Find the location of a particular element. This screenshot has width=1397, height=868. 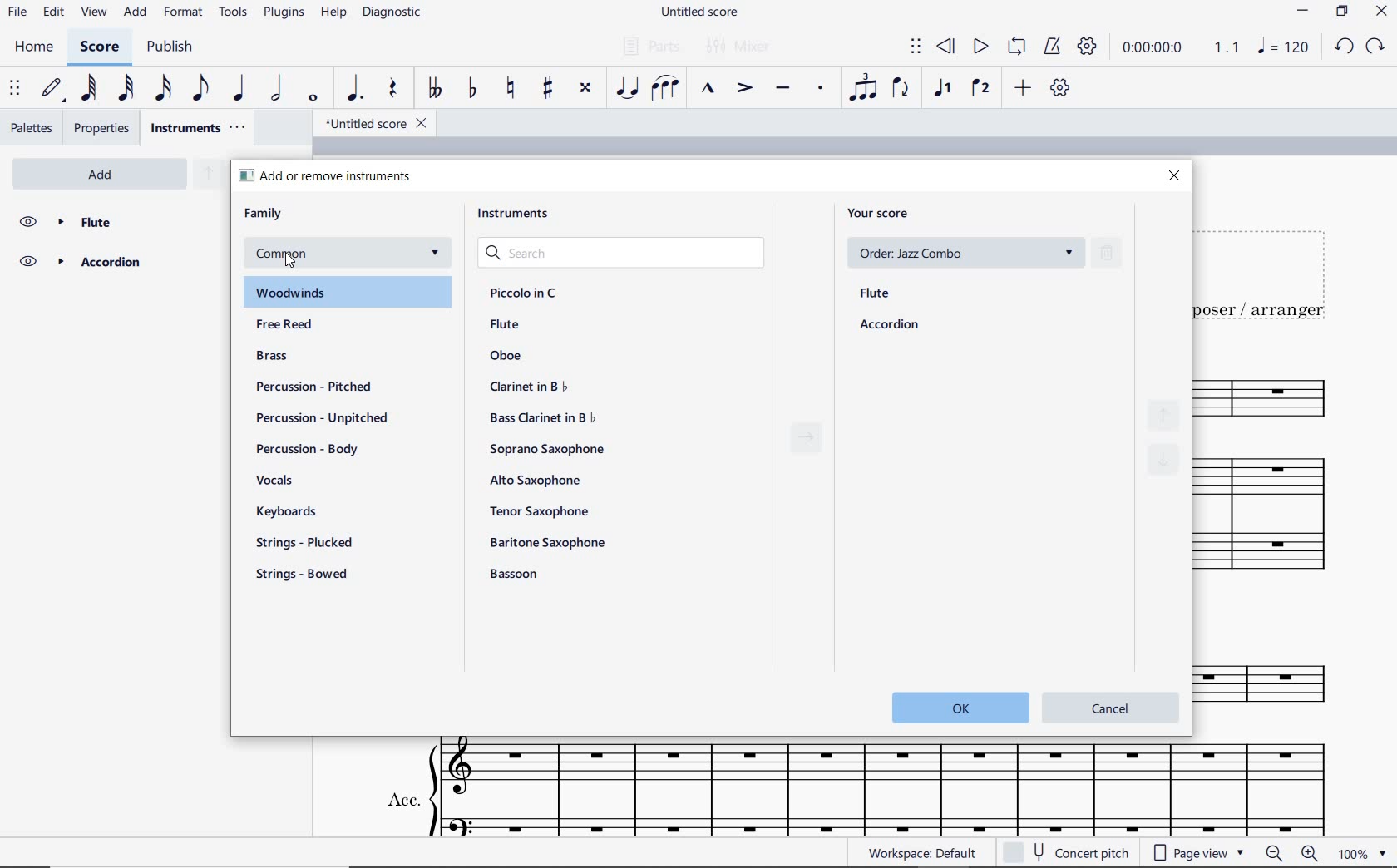

Alto Saxophone is located at coordinates (535, 481).